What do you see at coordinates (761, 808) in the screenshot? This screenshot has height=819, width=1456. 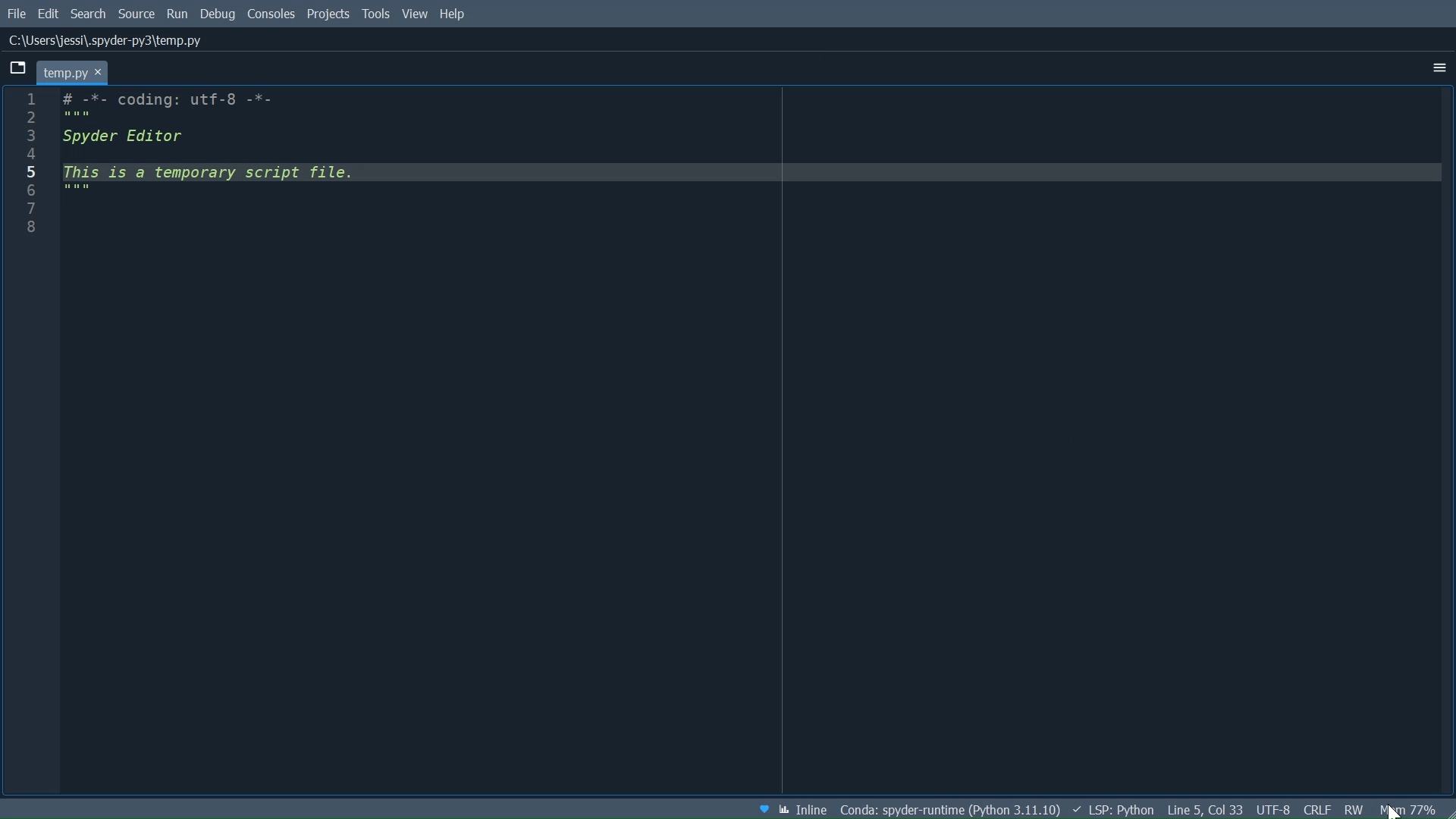 I see `Help Spyder ` at bounding box center [761, 808].